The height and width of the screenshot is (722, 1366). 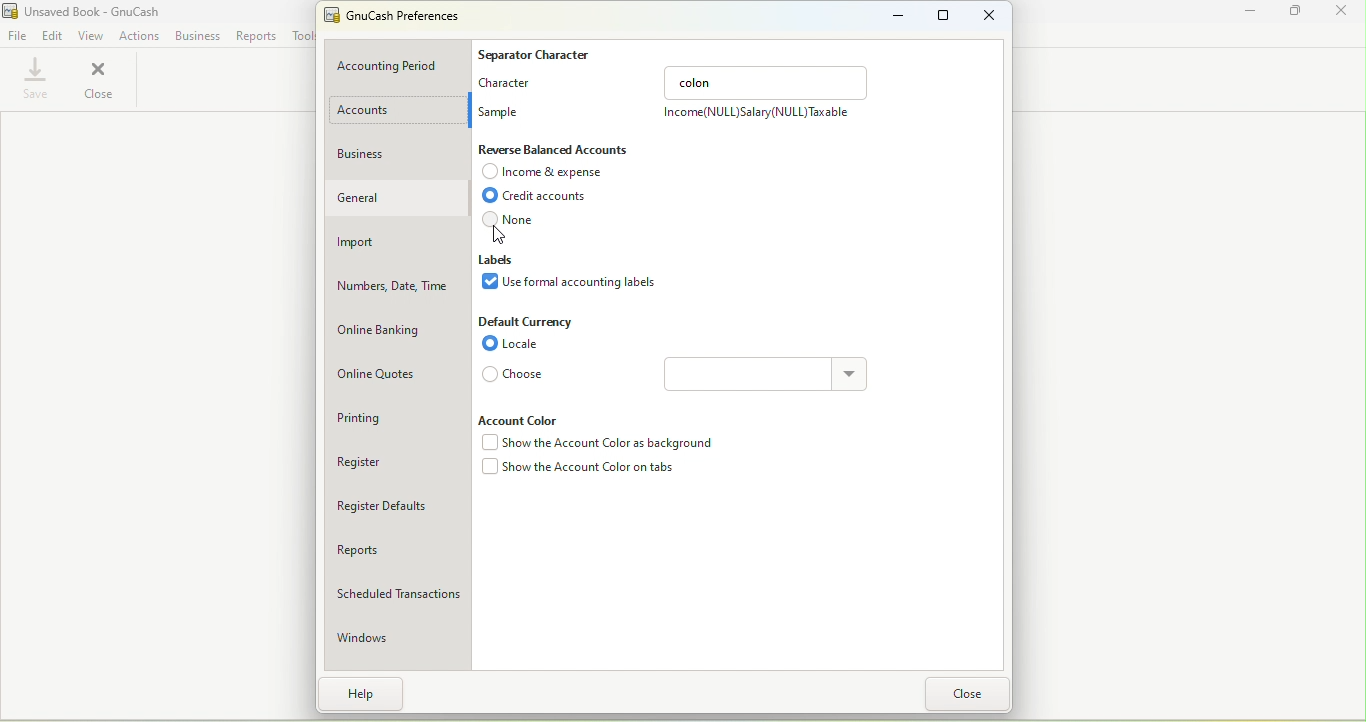 I want to click on Close, so click(x=1346, y=14).